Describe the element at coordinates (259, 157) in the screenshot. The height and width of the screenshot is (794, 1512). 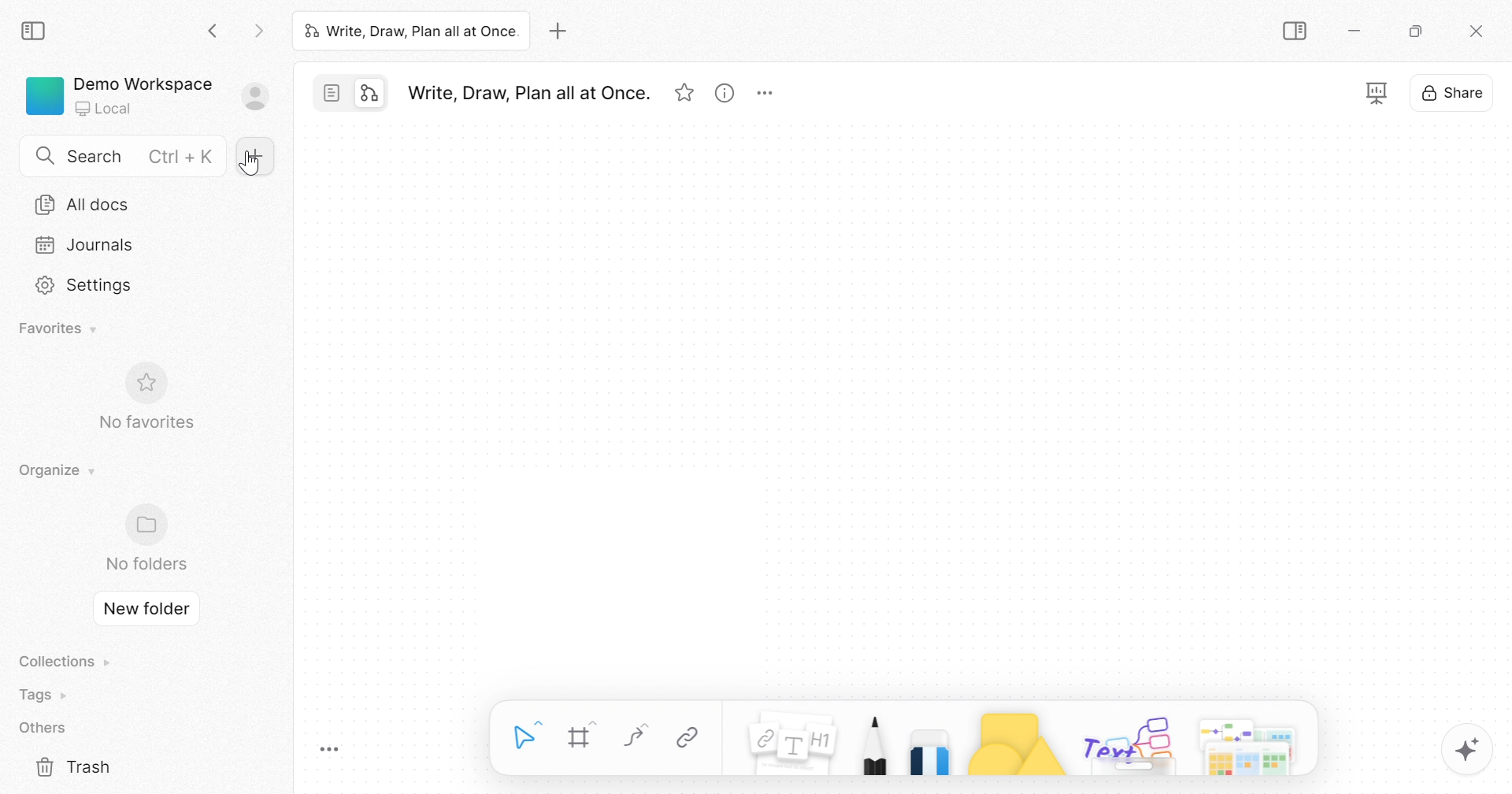
I see `New doc` at that location.